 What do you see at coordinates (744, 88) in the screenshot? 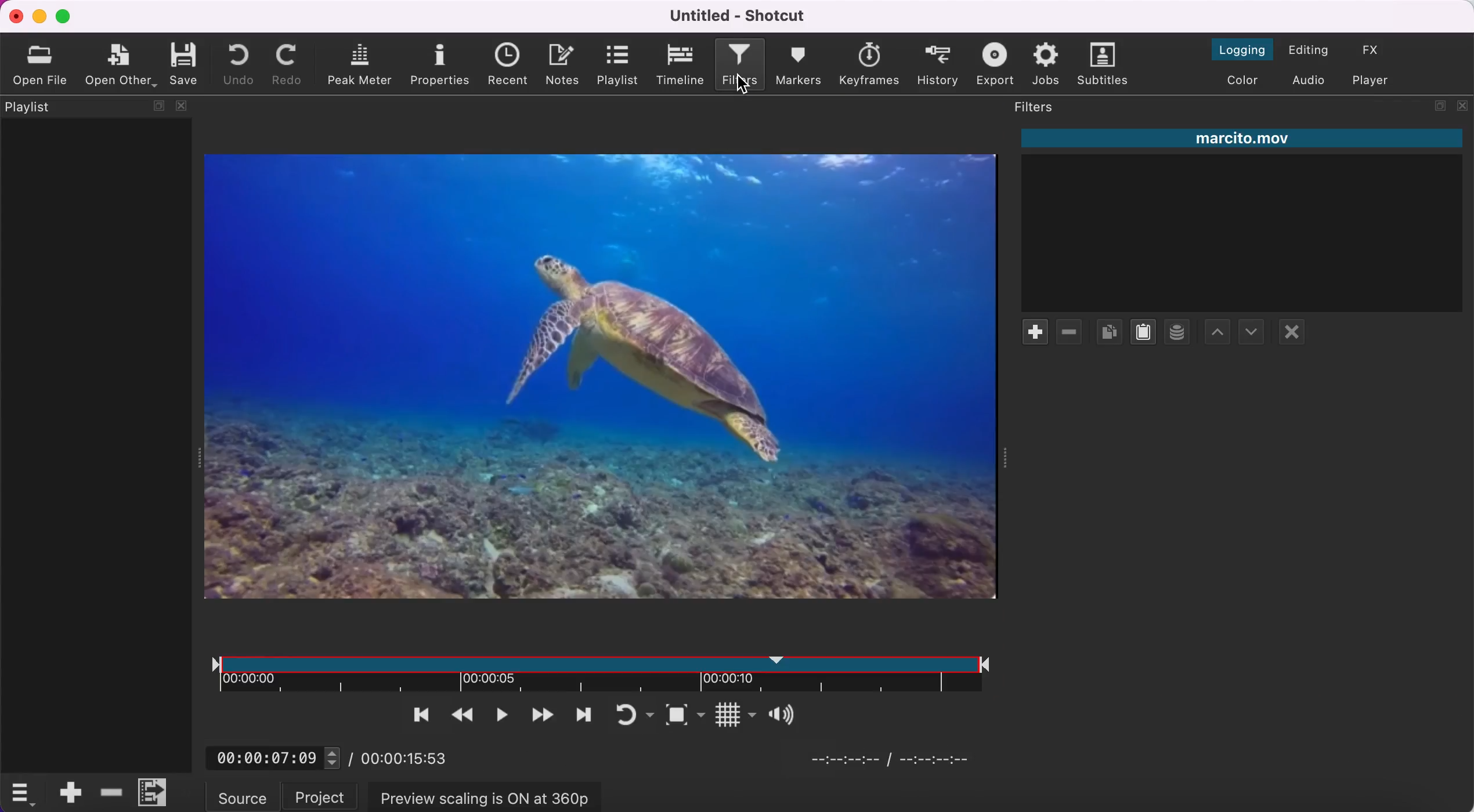
I see `cursor` at bounding box center [744, 88].